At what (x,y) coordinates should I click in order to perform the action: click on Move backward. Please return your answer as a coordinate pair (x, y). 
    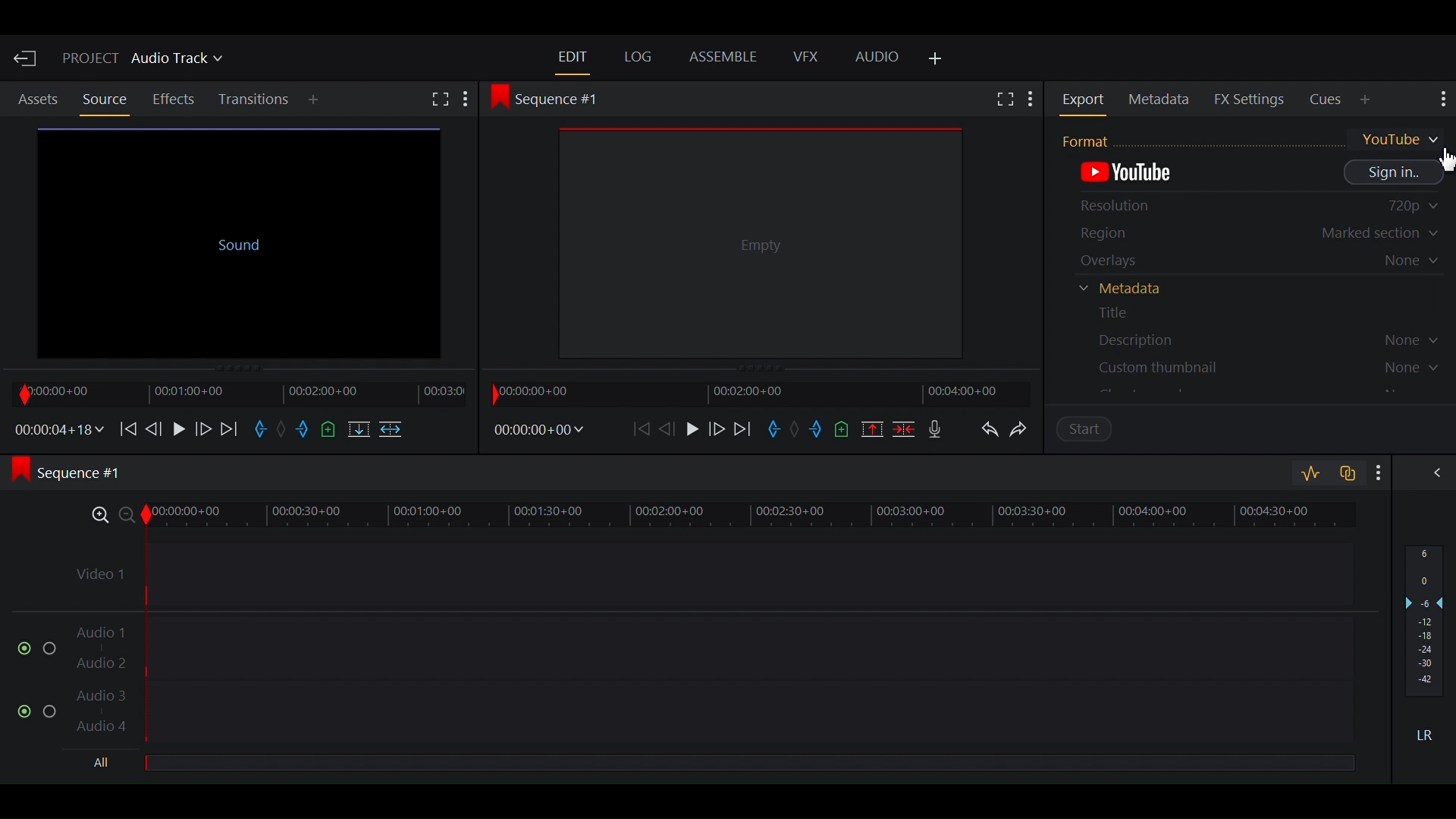
    Looking at the image, I should click on (643, 428).